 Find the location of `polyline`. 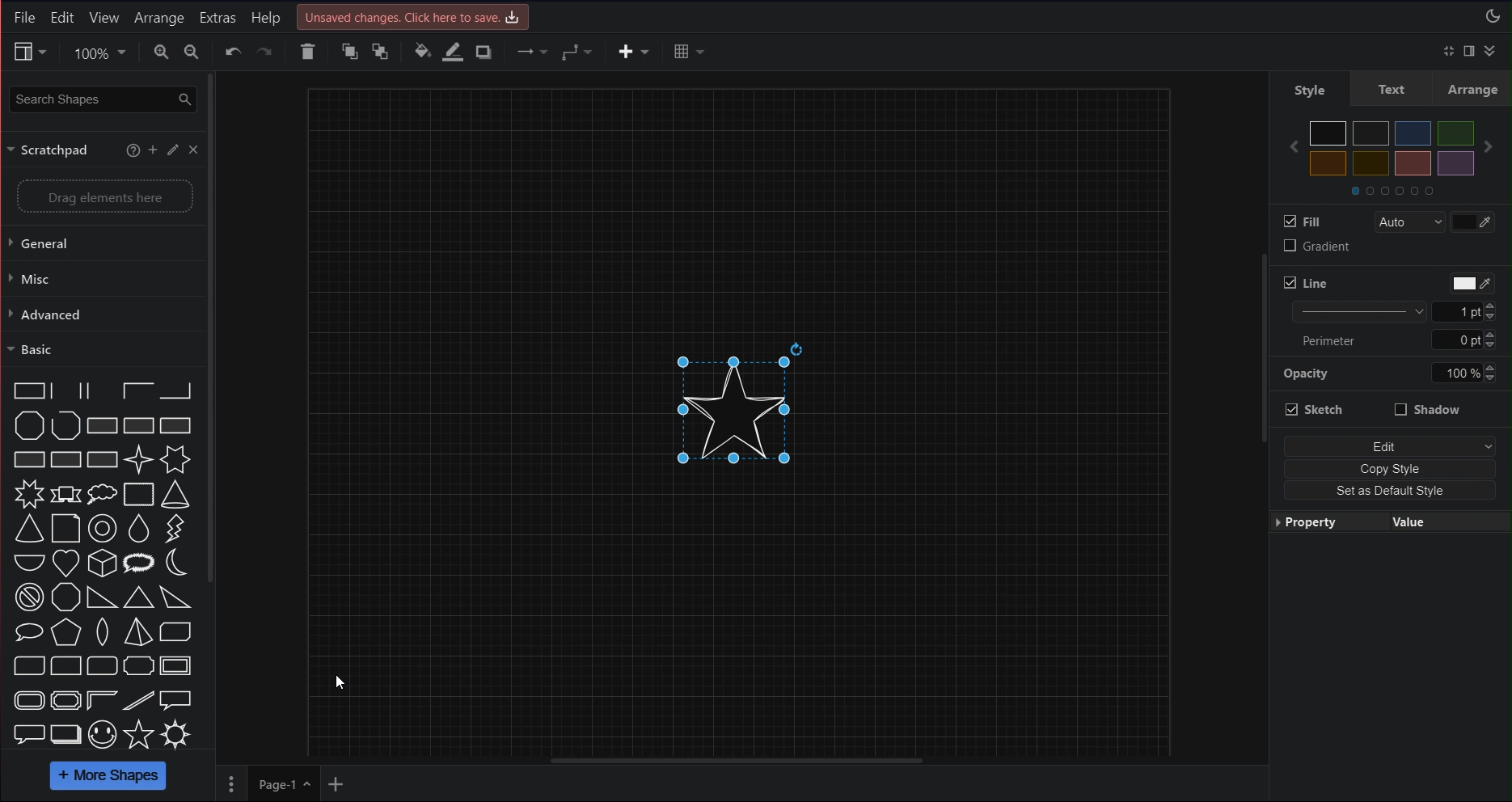

polyline is located at coordinates (66, 425).